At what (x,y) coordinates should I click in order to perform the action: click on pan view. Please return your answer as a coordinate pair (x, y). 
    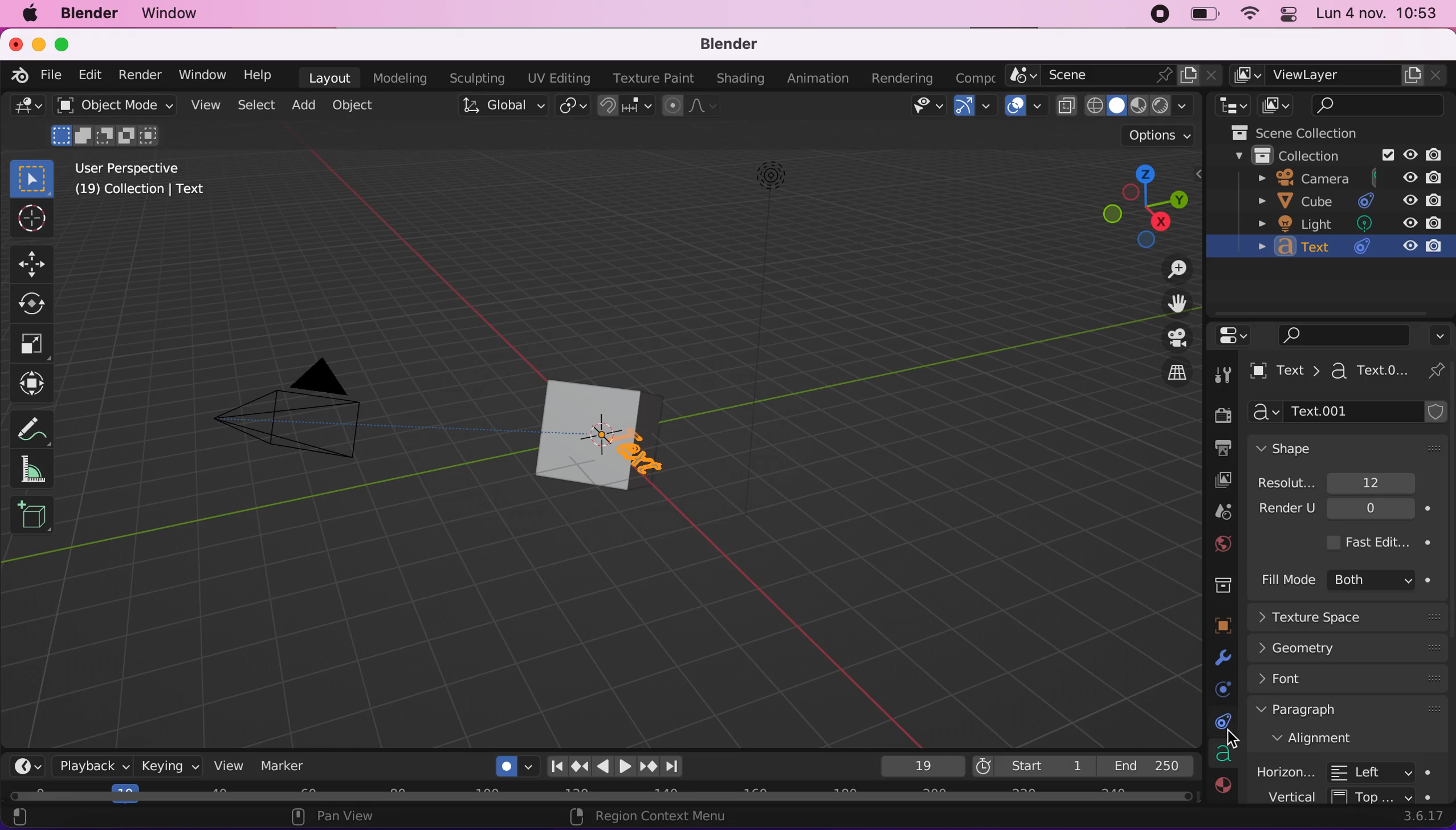
    Looking at the image, I should click on (378, 819).